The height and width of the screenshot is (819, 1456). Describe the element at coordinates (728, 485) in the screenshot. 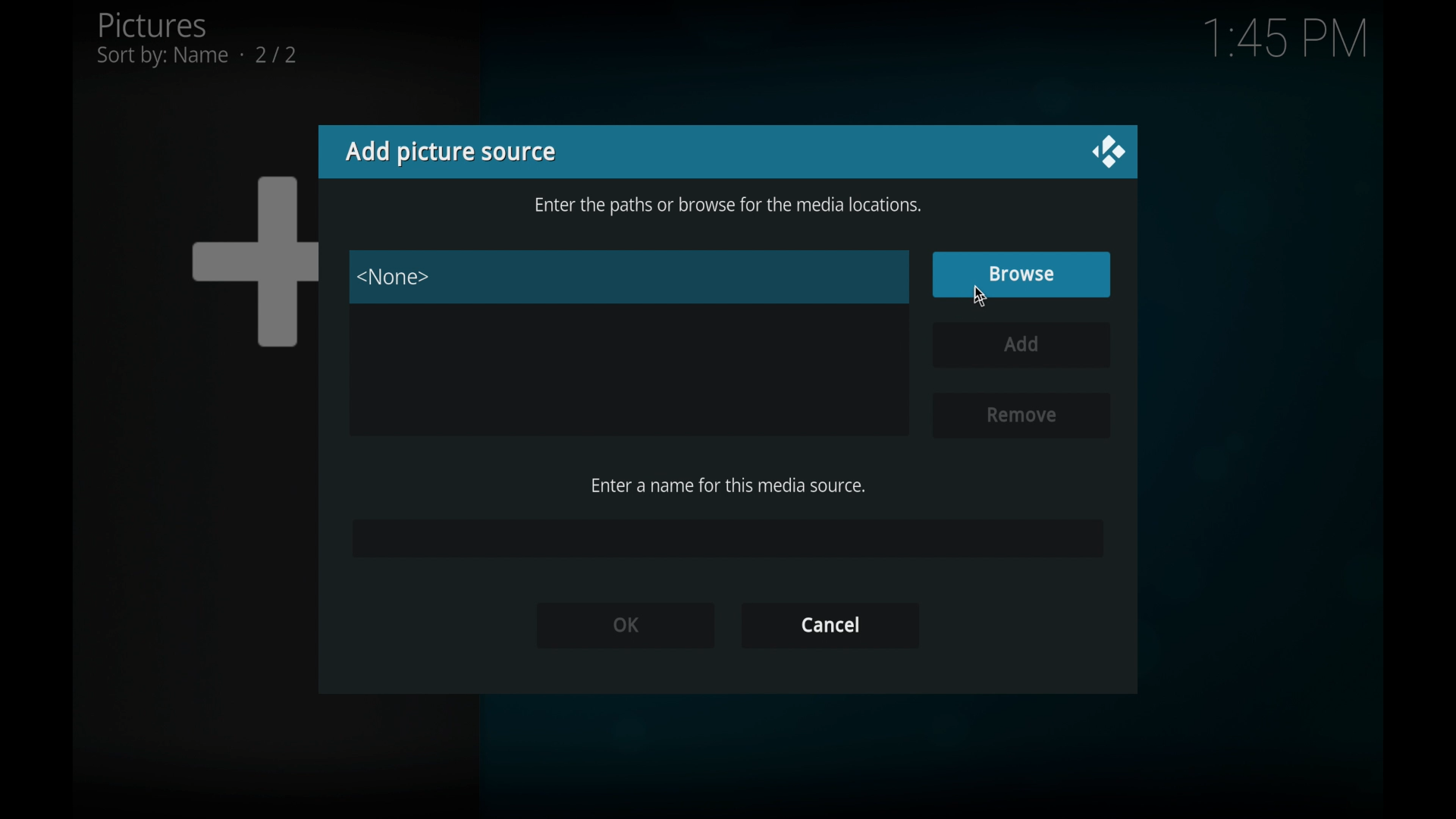

I see `enter a name for this media source` at that location.